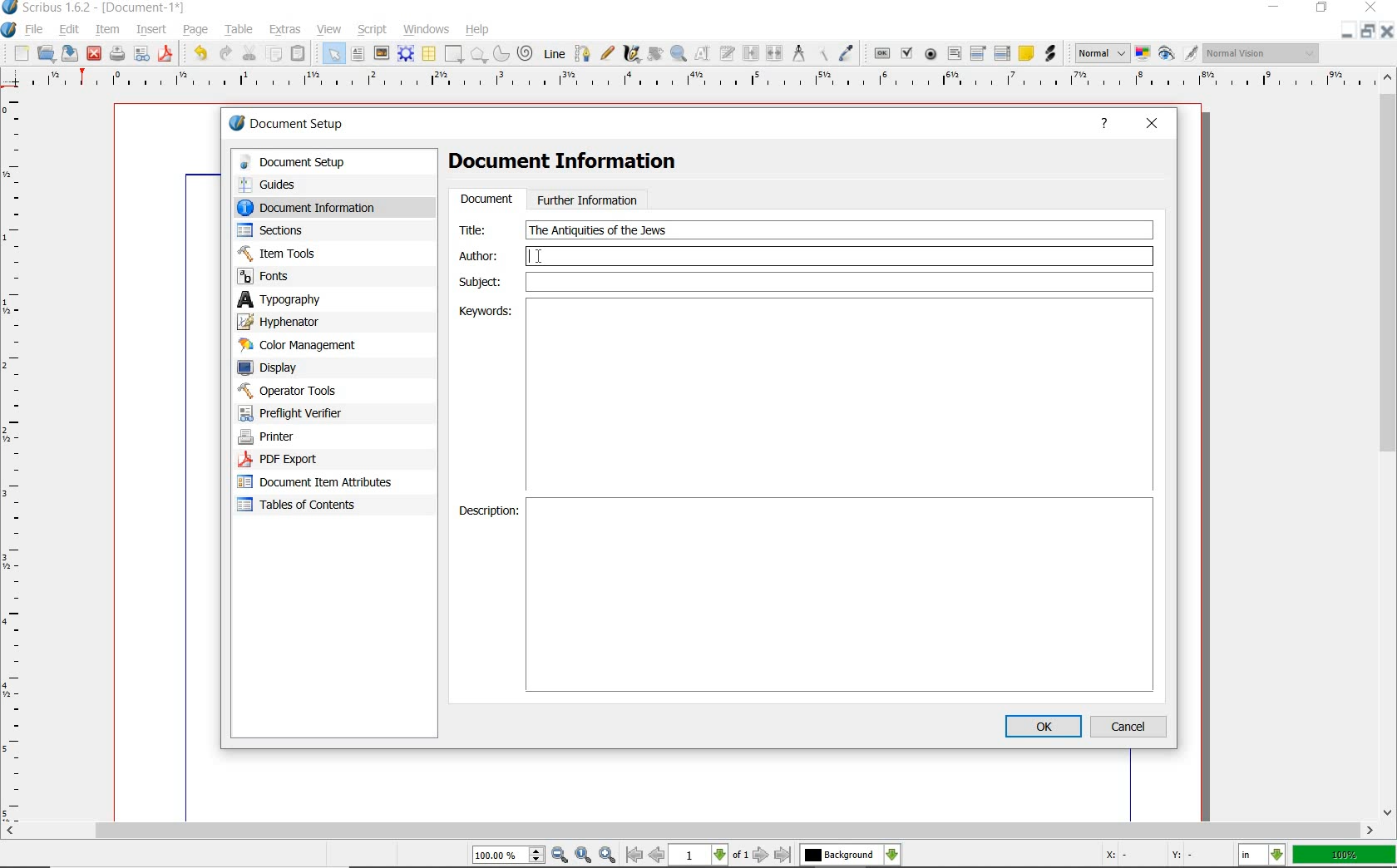  What do you see at coordinates (1049, 54) in the screenshot?
I see `link annotation` at bounding box center [1049, 54].